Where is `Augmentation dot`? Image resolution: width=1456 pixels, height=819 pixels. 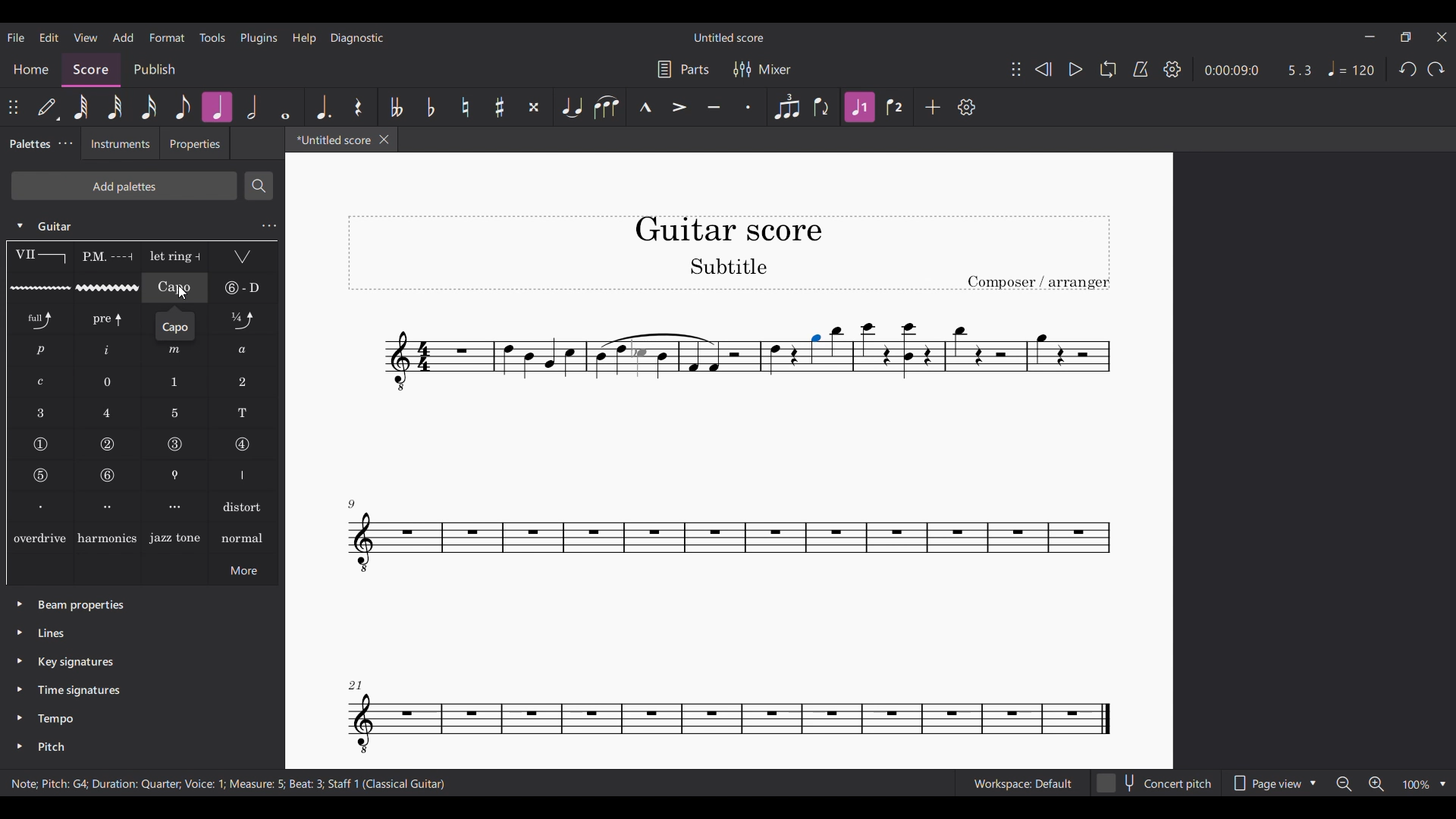 Augmentation dot is located at coordinates (322, 107).